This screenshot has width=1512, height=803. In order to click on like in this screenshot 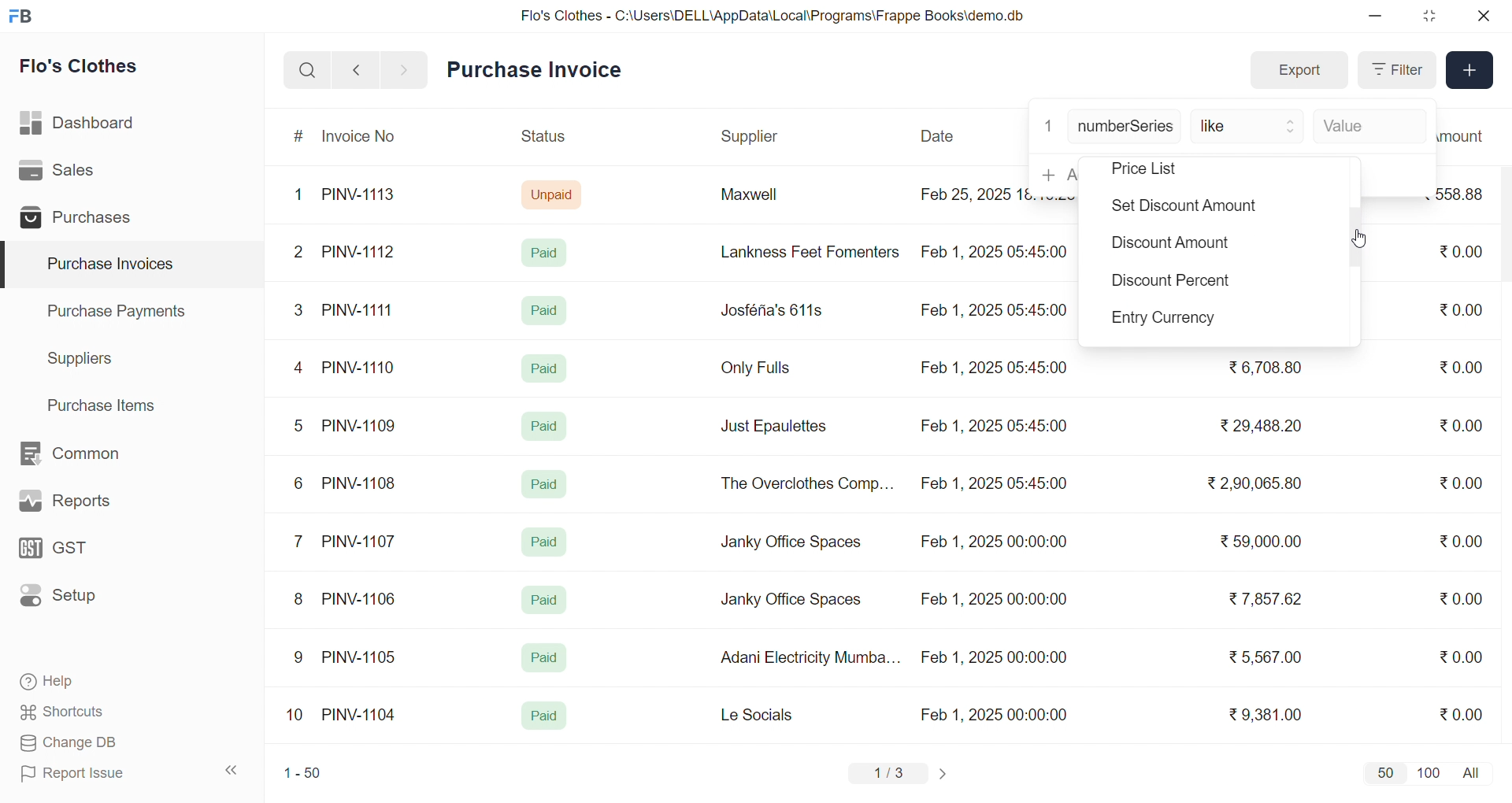, I will do `click(1249, 128)`.